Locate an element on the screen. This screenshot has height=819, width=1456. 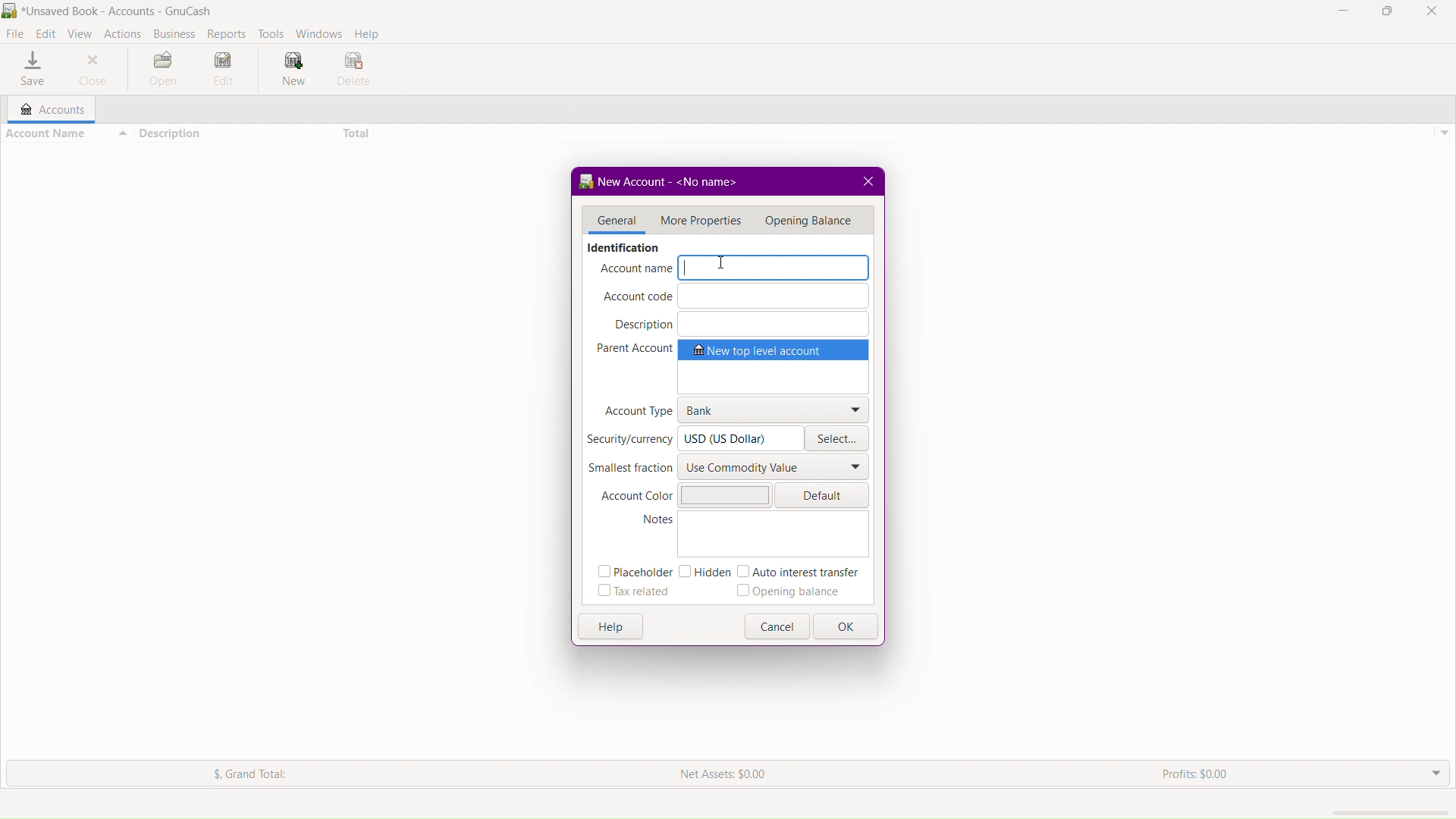
Account Color is located at coordinates (685, 494).